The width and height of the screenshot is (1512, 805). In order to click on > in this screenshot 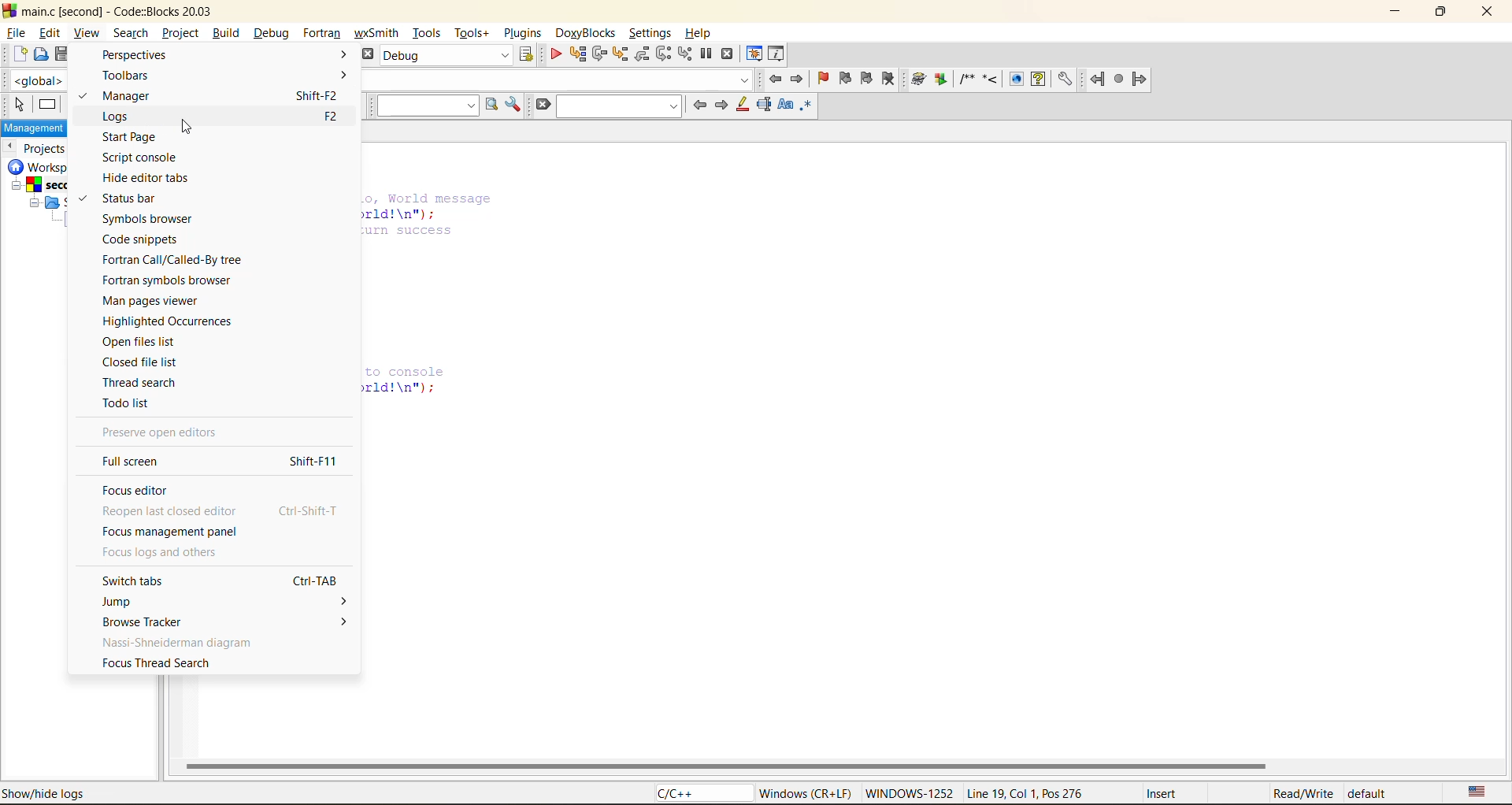, I will do `click(335, 54)`.